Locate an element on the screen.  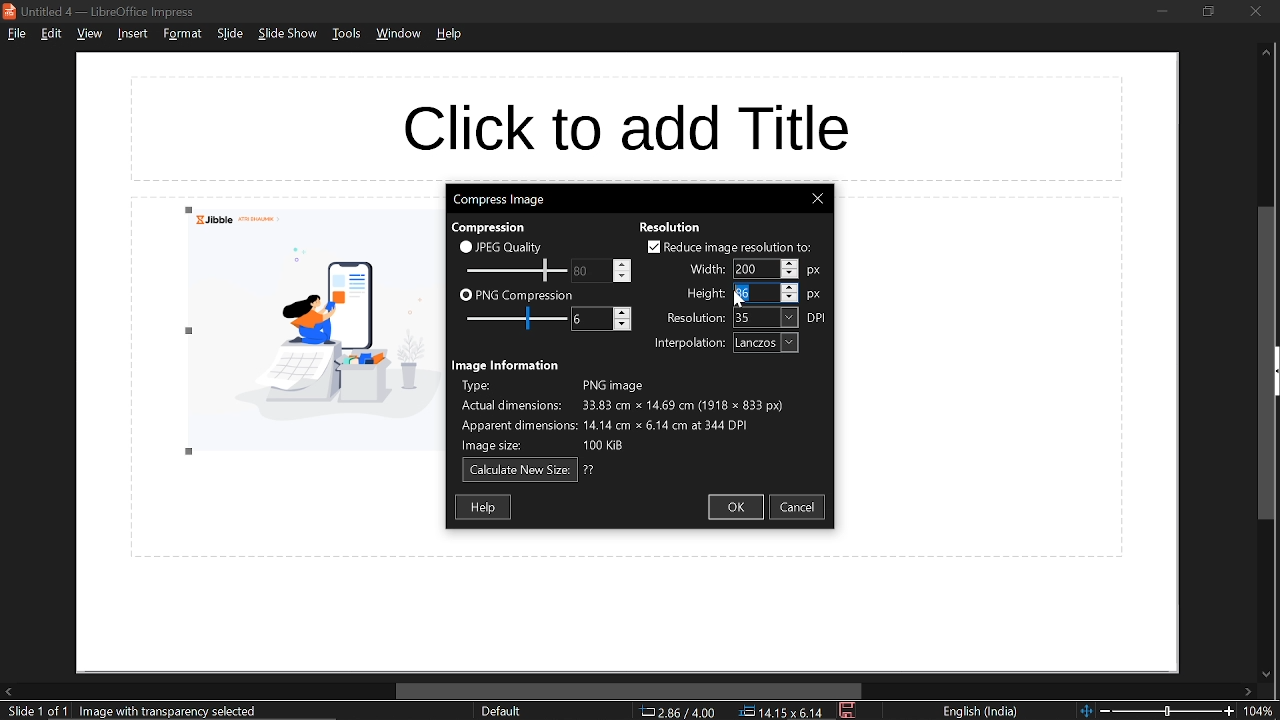
restore down is located at coordinates (1207, 11).